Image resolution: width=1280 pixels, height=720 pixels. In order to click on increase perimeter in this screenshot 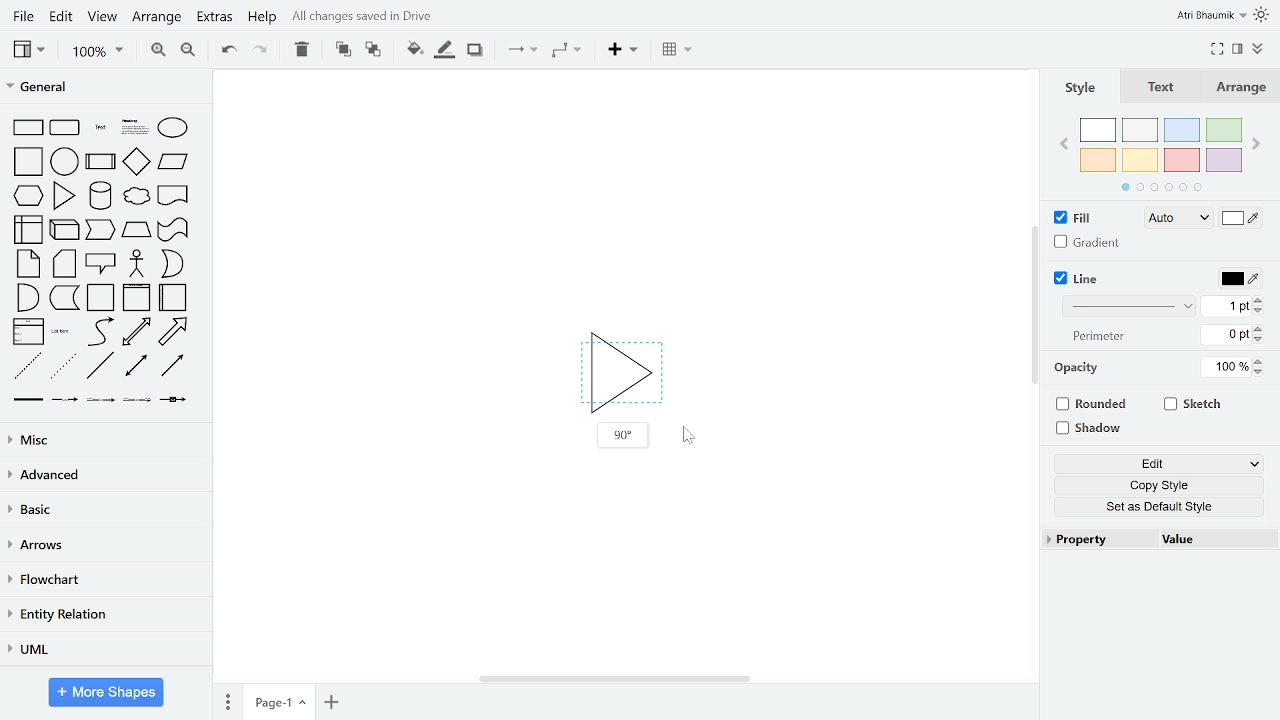, I will do `click(1259, 328)`.